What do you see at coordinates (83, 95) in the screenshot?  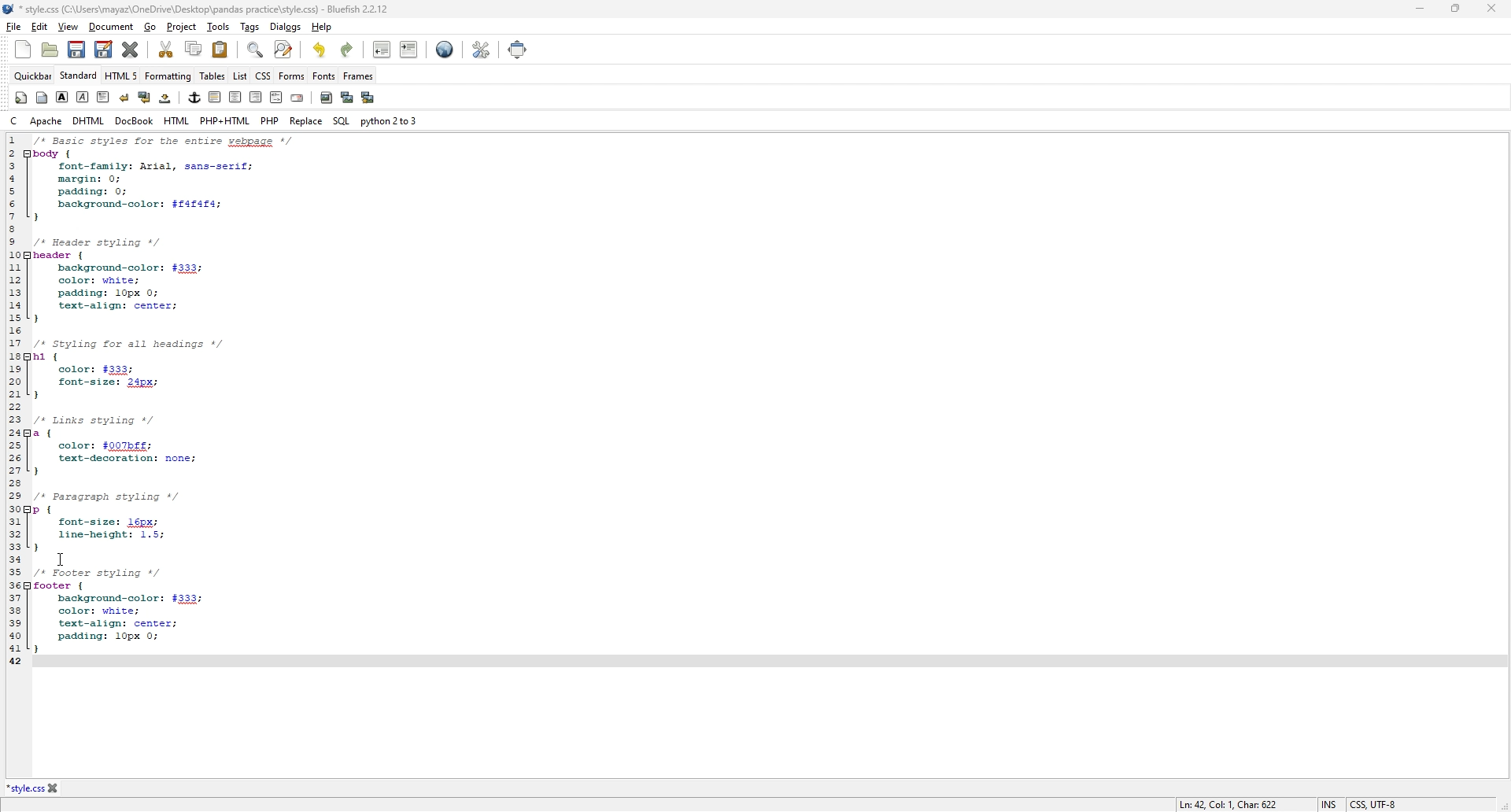 I see `italic` at bounding box center [83, 95].